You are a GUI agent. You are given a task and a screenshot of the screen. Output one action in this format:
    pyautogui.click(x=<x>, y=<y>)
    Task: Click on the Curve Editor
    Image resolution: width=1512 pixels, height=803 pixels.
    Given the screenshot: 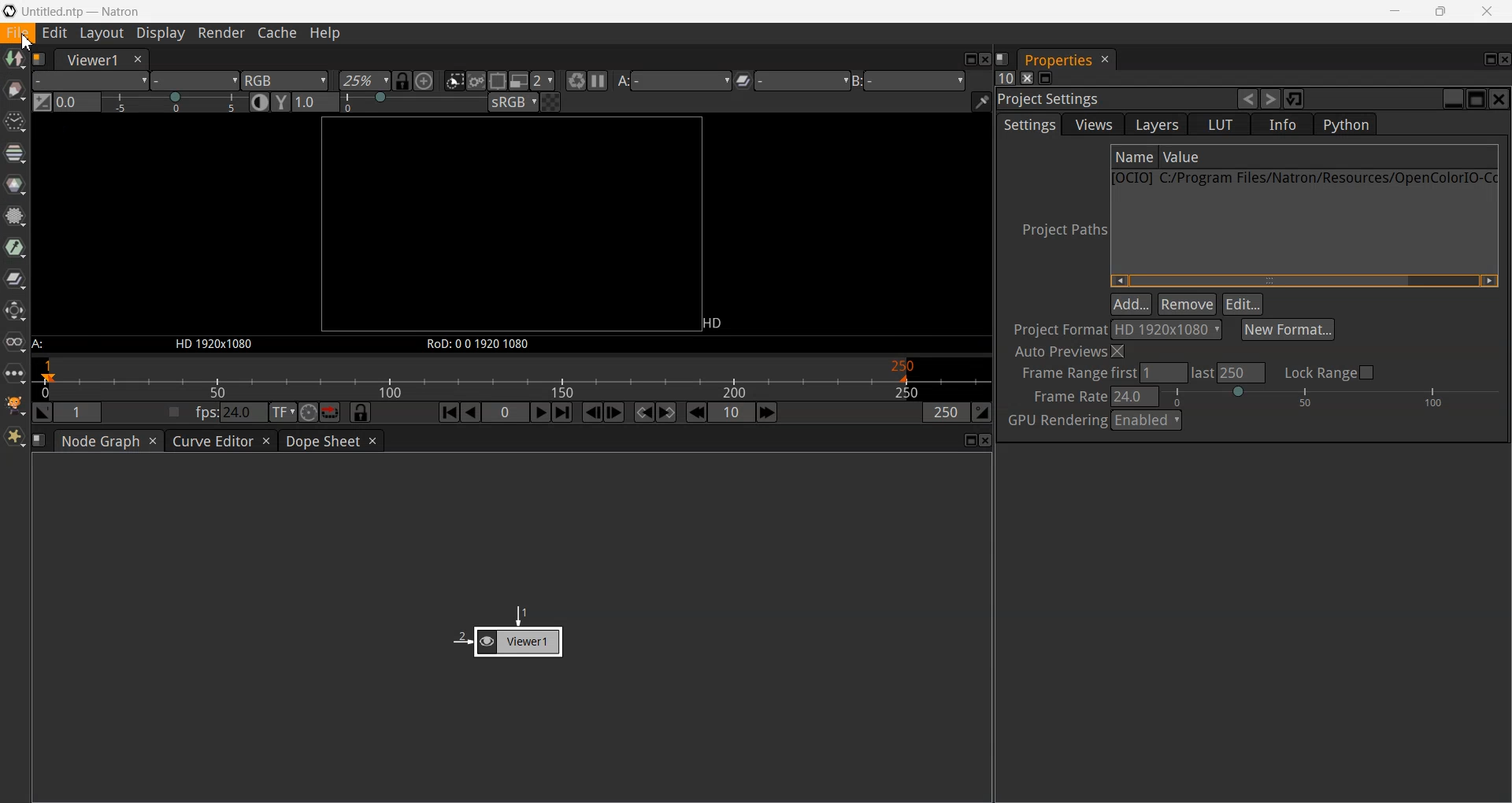 What is the action you would take?
    pyautogui.click(x=211, y=441)
    